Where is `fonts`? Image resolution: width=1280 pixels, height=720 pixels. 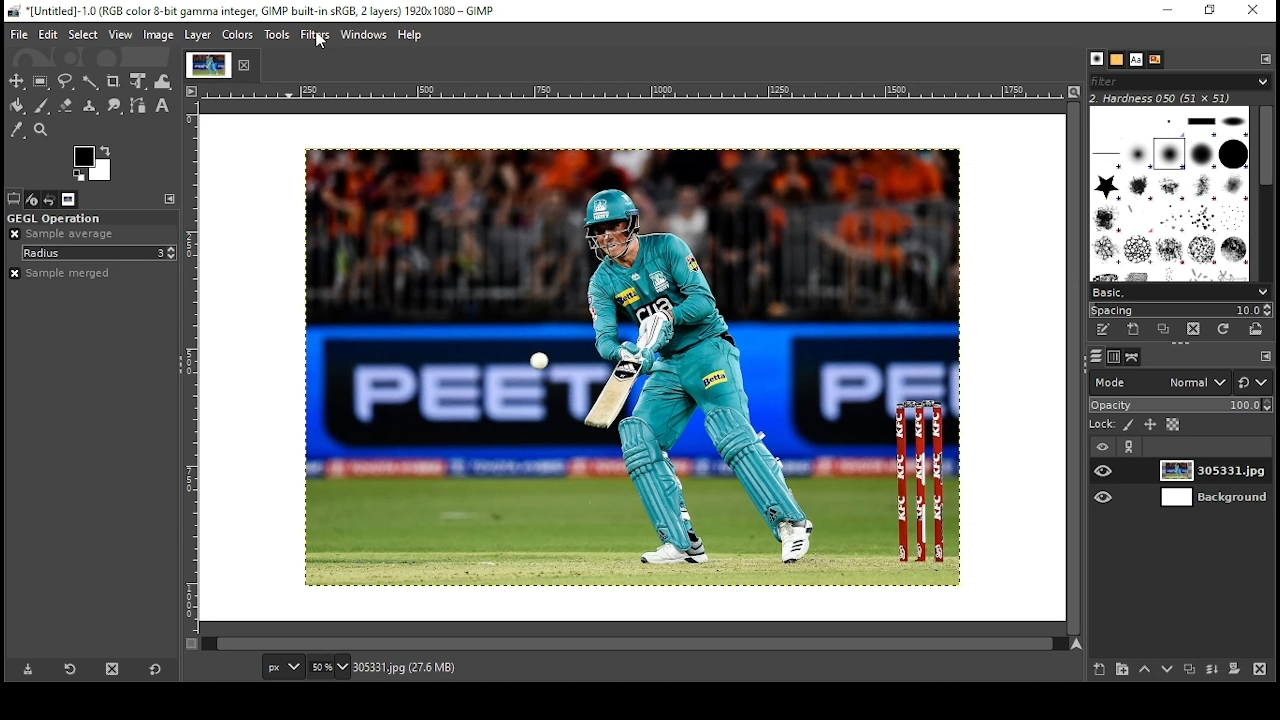 fonts is located at coordinates (1136, 60).